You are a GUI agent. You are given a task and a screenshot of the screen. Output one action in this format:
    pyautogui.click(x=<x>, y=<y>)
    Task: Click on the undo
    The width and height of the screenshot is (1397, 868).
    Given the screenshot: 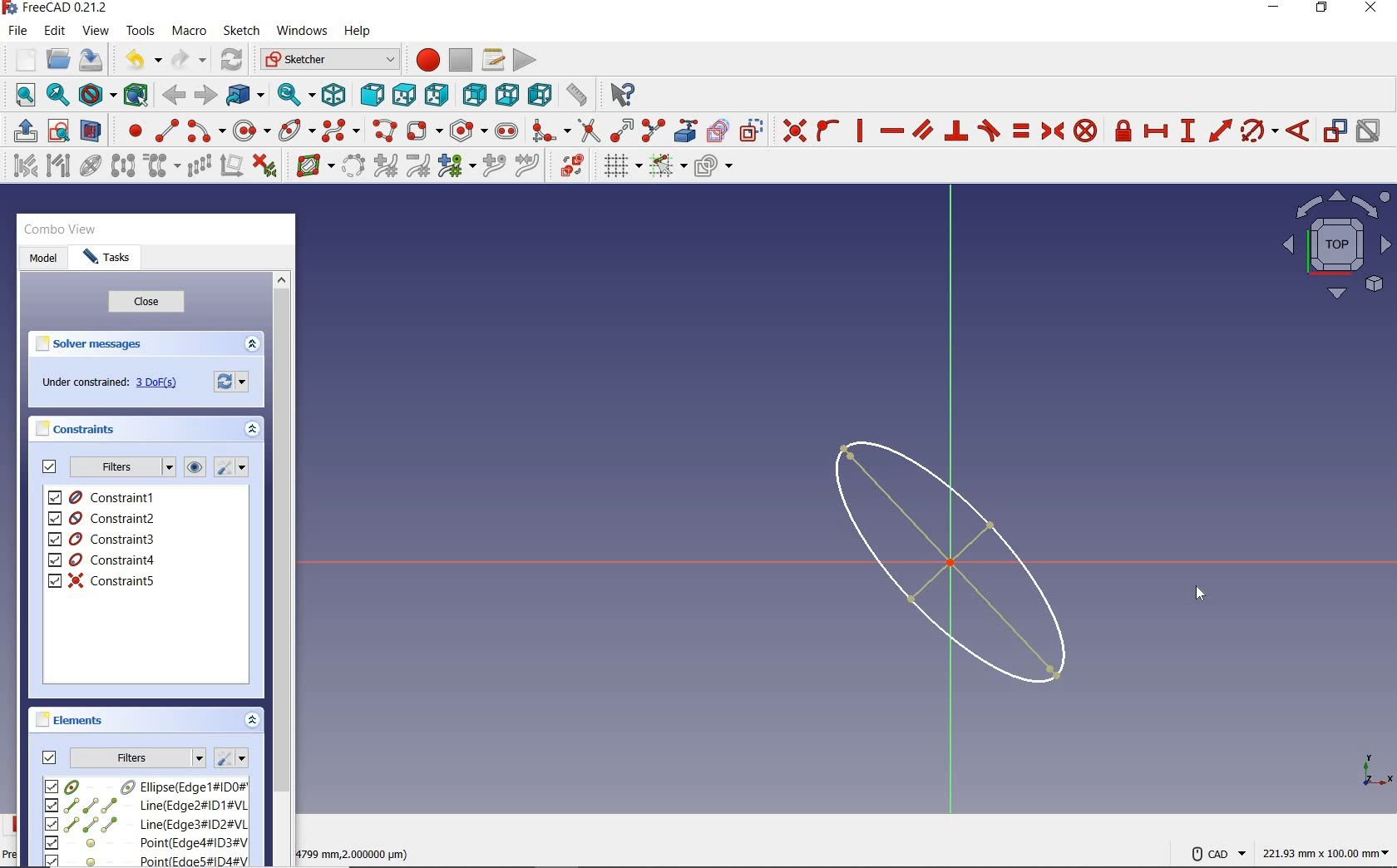 What is the action you would take?
    pyautogui.click(x=139, y=60)
    